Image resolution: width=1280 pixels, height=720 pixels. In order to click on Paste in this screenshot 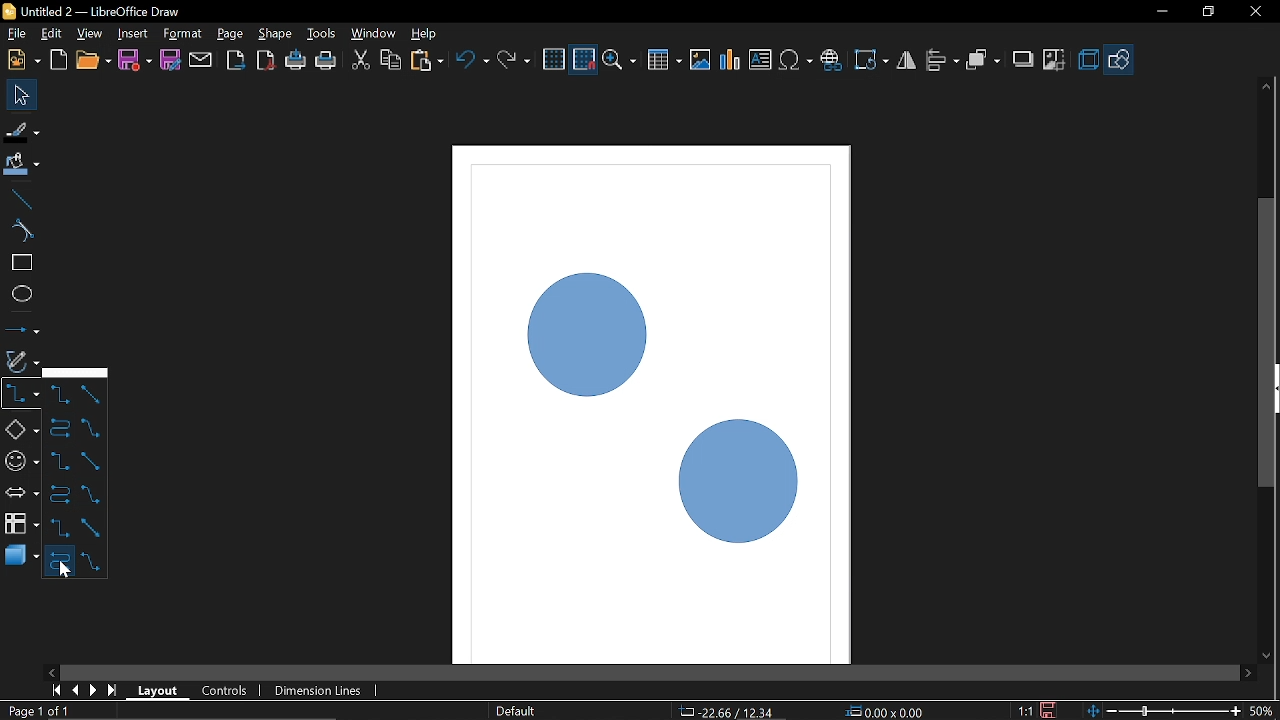, I will do `click(427, 59)`.